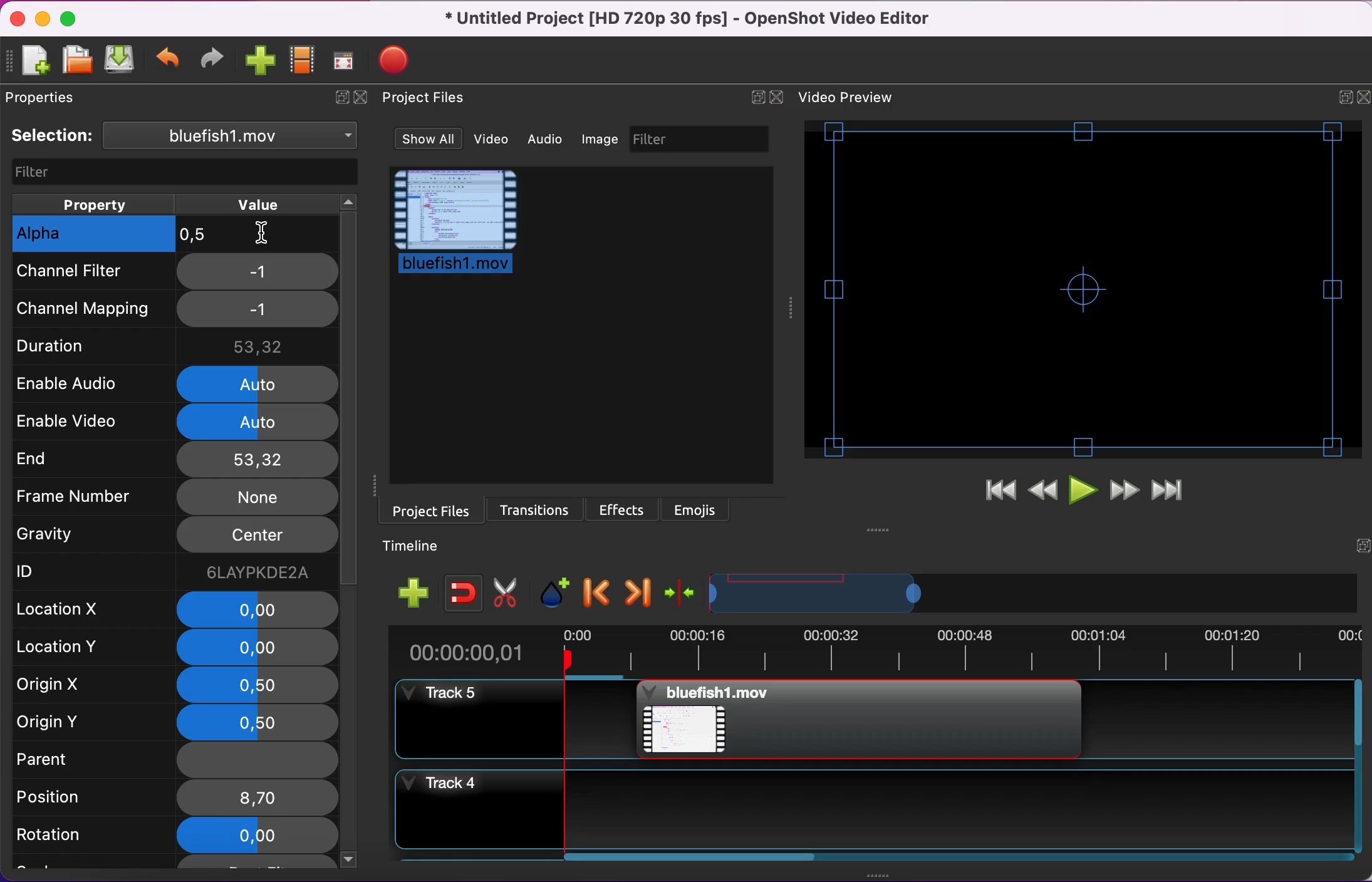 This screenshot has width=1372, height=882. I want to click on 6laypkde2a, so click(257, 573).